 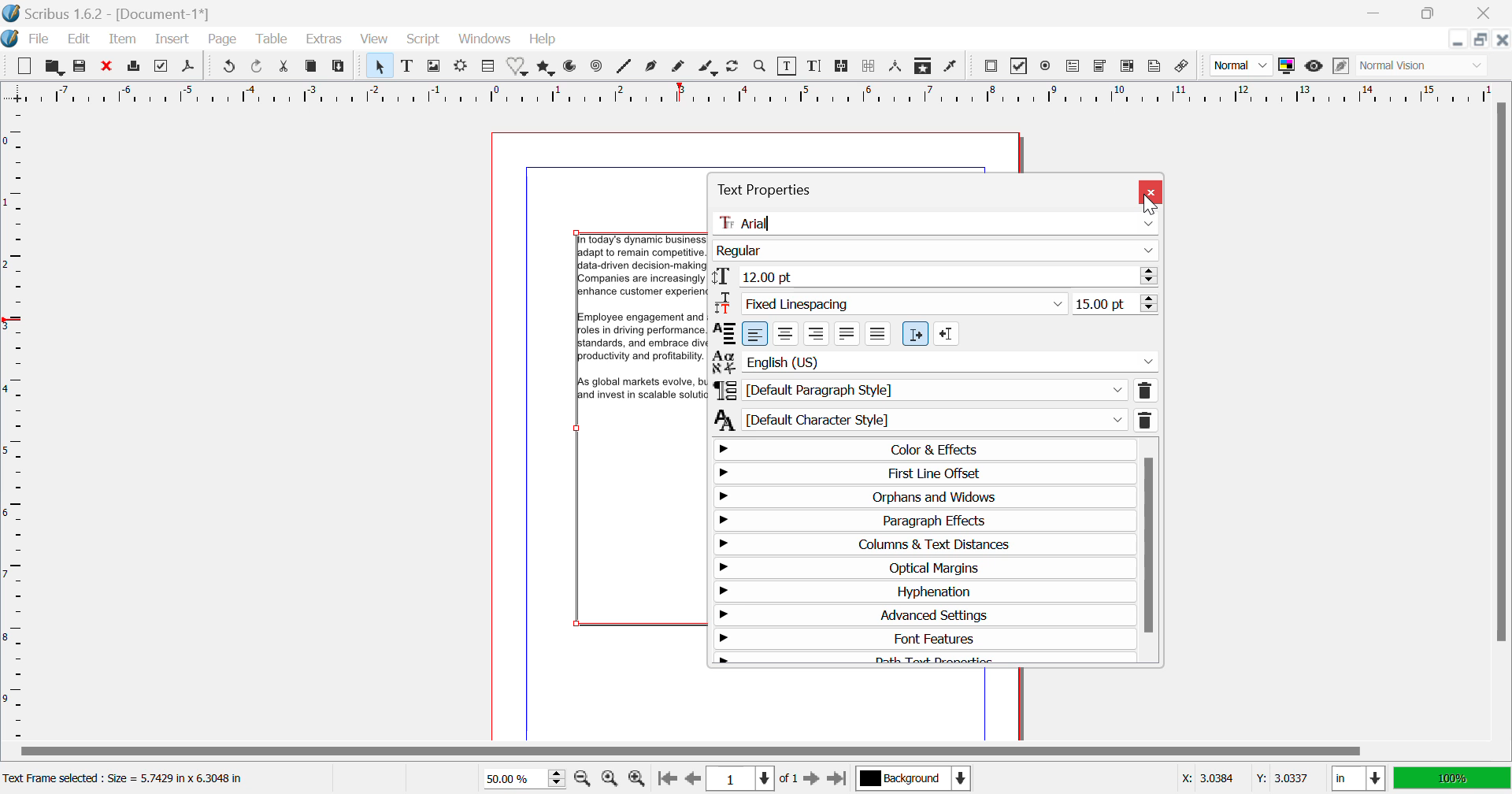 What do you see at coordinates (1077, 65) in the screenshot?
I see `Pdf Text Field` at bounding box center [1077, 65].